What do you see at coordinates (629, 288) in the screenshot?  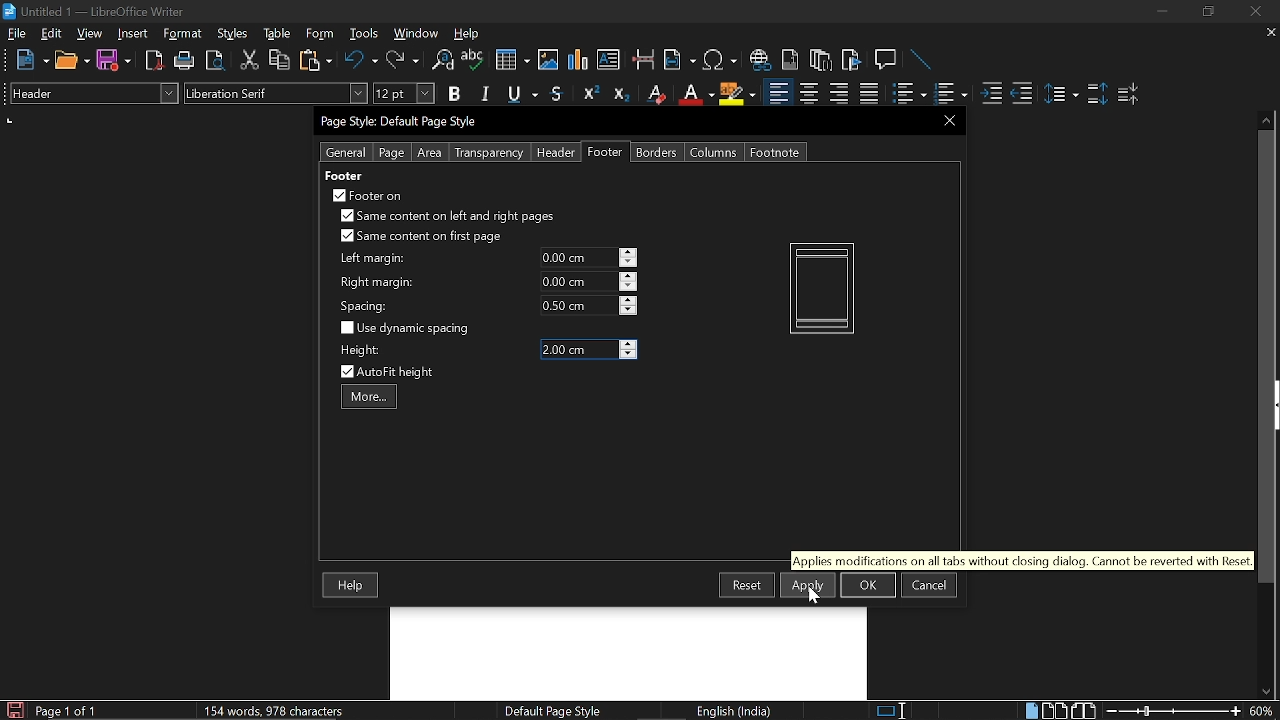 I see `decrease right margin` at bounding box center [629, 288].